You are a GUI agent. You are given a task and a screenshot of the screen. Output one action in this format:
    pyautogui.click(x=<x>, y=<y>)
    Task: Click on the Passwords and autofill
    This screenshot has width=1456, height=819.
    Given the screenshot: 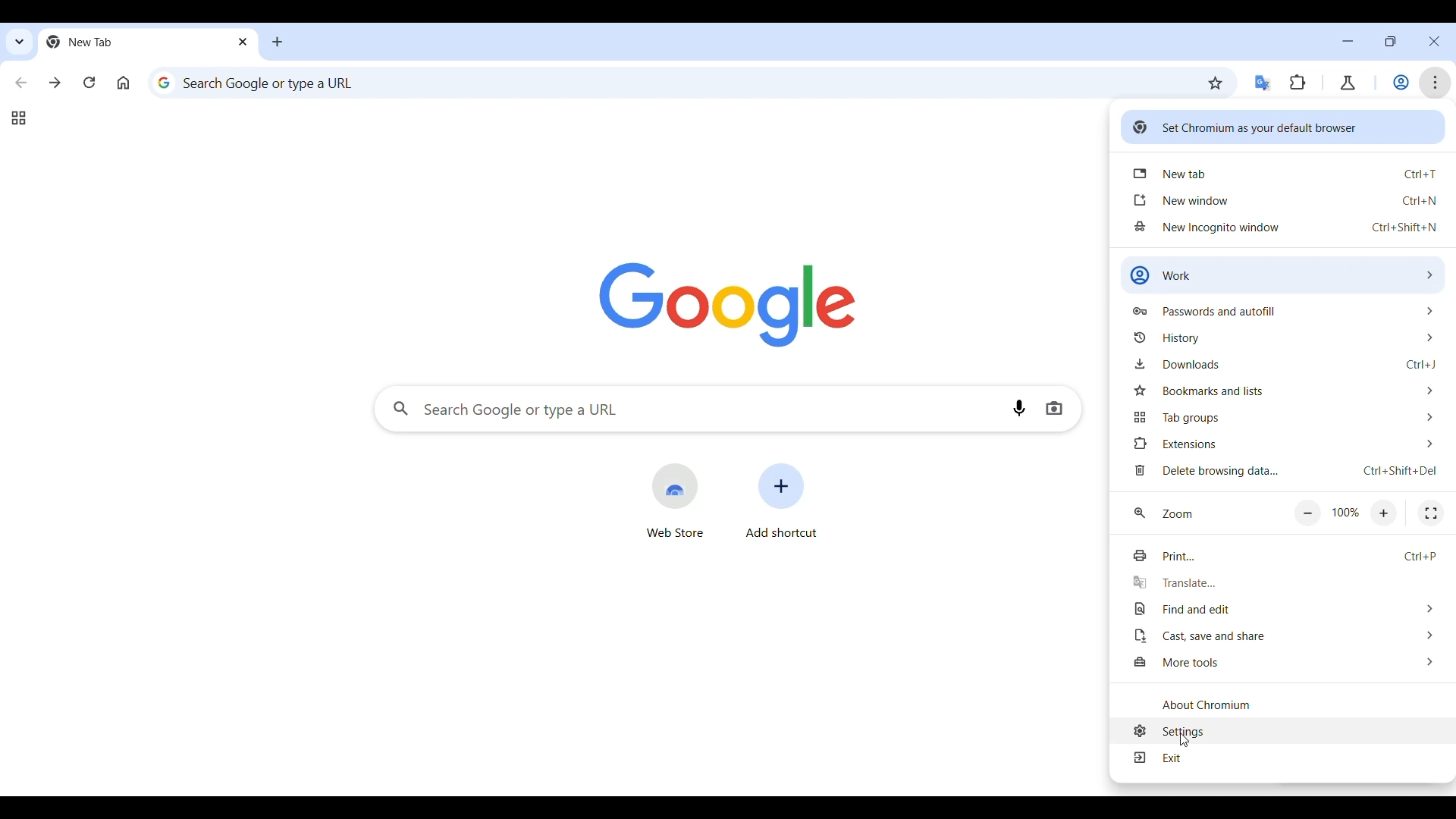 What is the action you would take?
    pyautogui.click(x=1284, y=310)
    